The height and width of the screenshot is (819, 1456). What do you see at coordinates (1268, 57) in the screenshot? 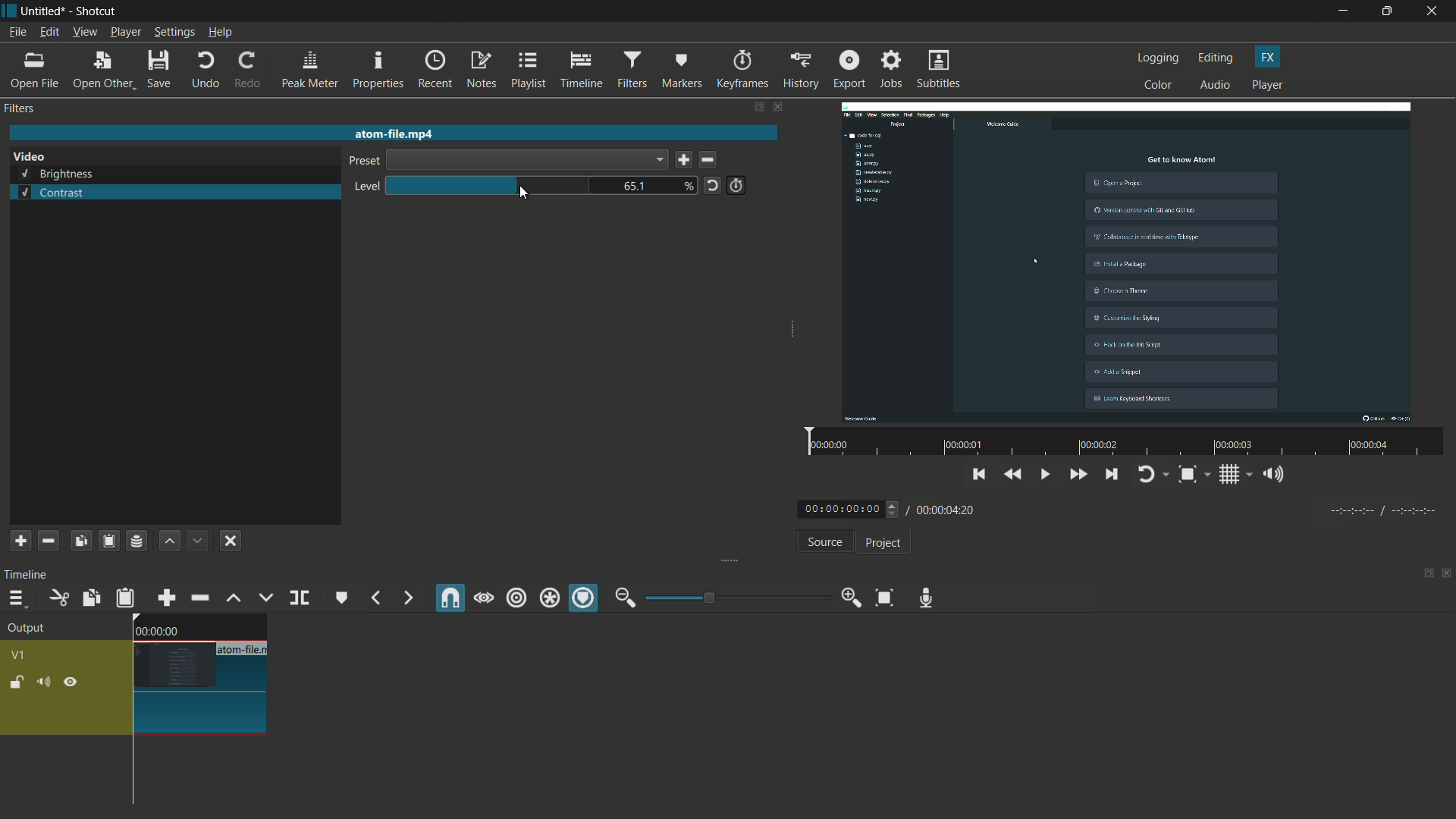
I see `fx` at bounding box center [1268, 57].